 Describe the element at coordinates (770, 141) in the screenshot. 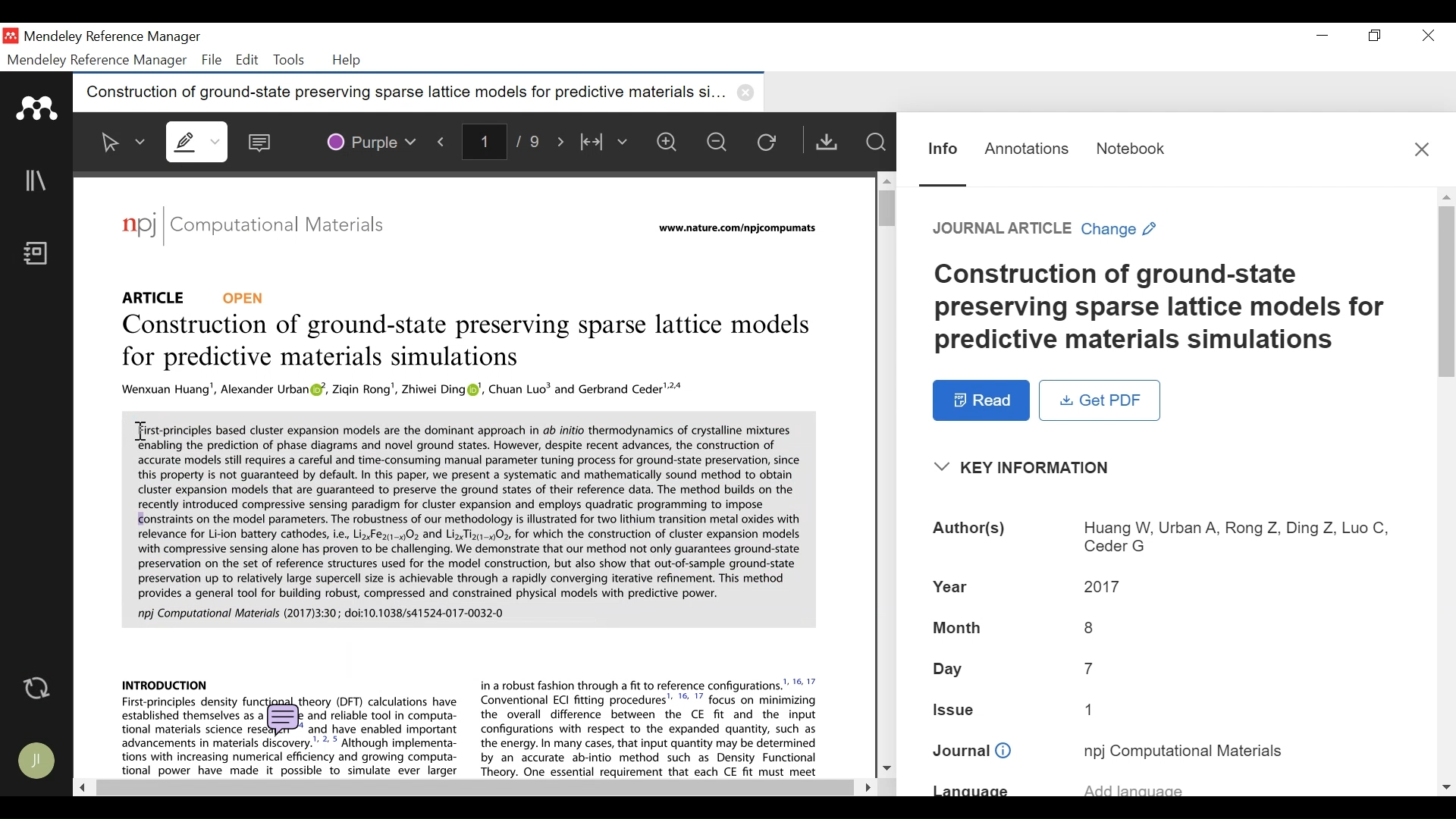

I see `Reload` at that location.